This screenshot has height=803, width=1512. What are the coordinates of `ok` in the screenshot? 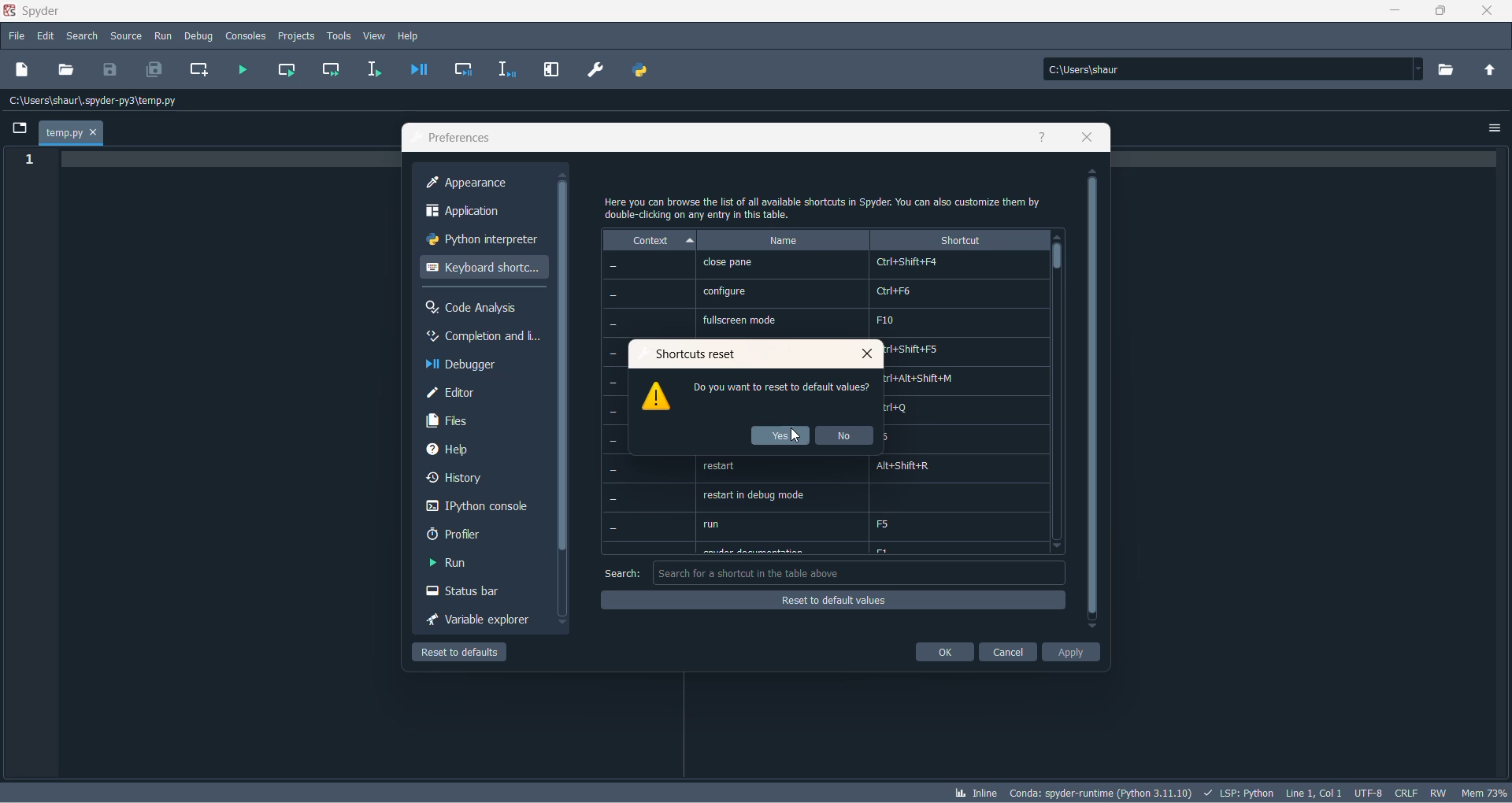 It's located at (944, 652).